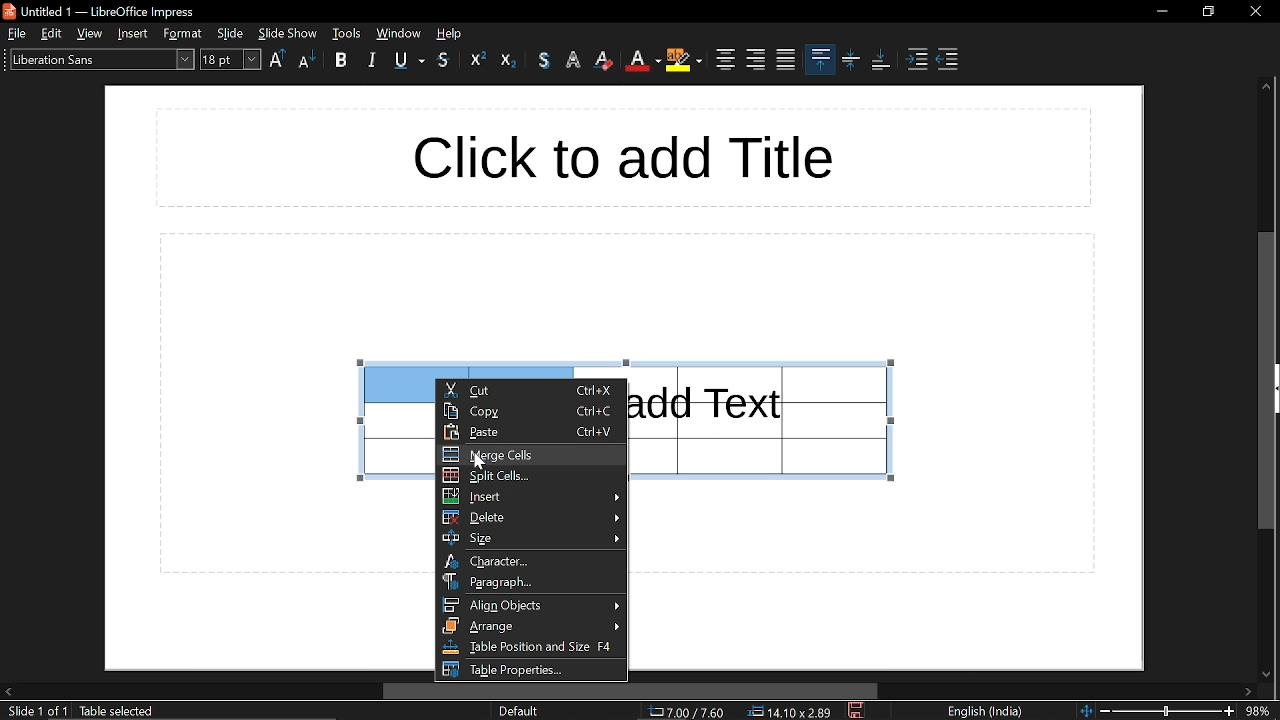 The height and width of the screenshot is (720, 1280). Describe the element at coordinates (392, 446) in the screenshot. I see `Table` at that location.